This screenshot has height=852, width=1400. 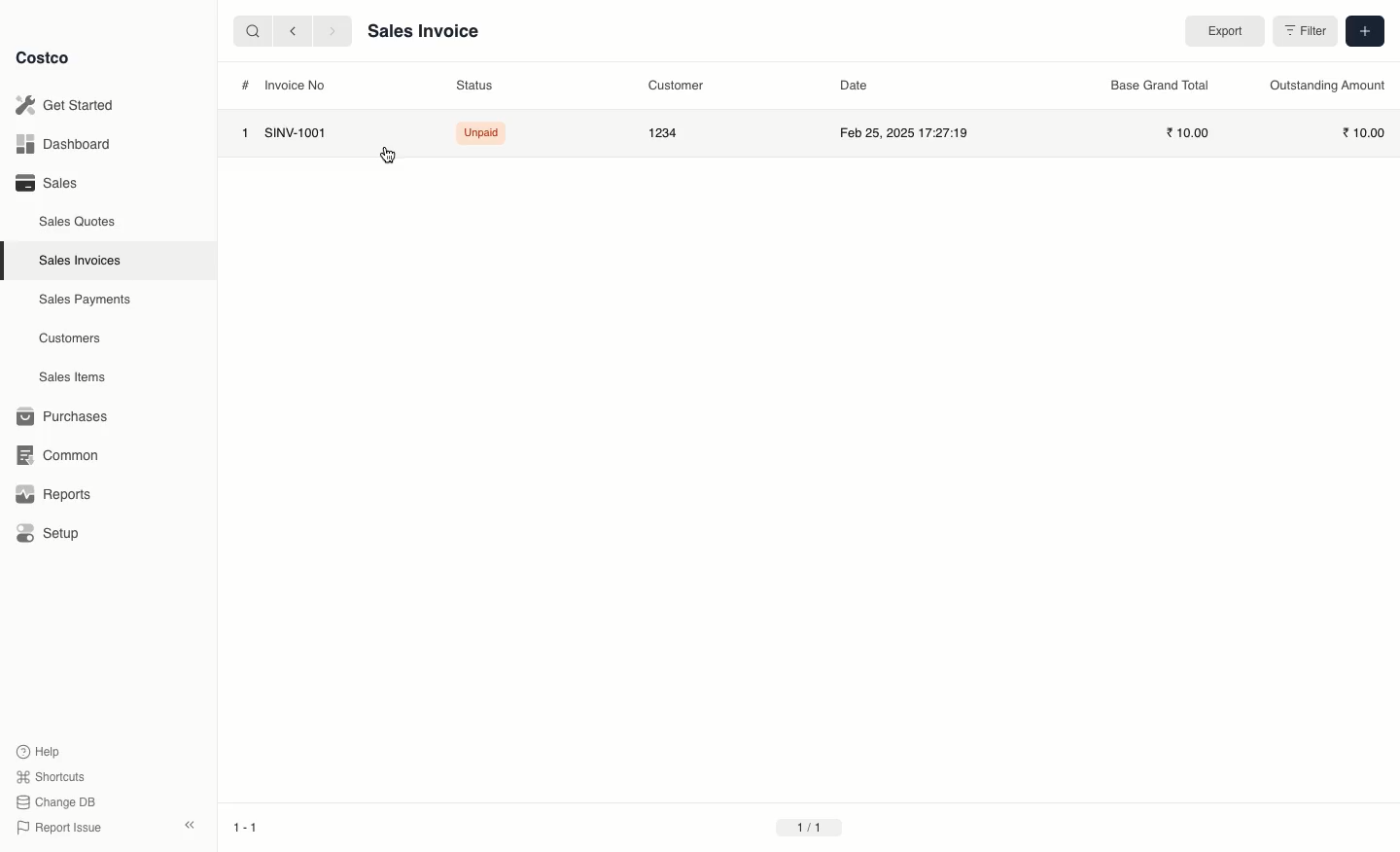 What do you see at coordinates (1188, 132) in the screenshot?
I see `10.00` at bounding box center [1188, 132].